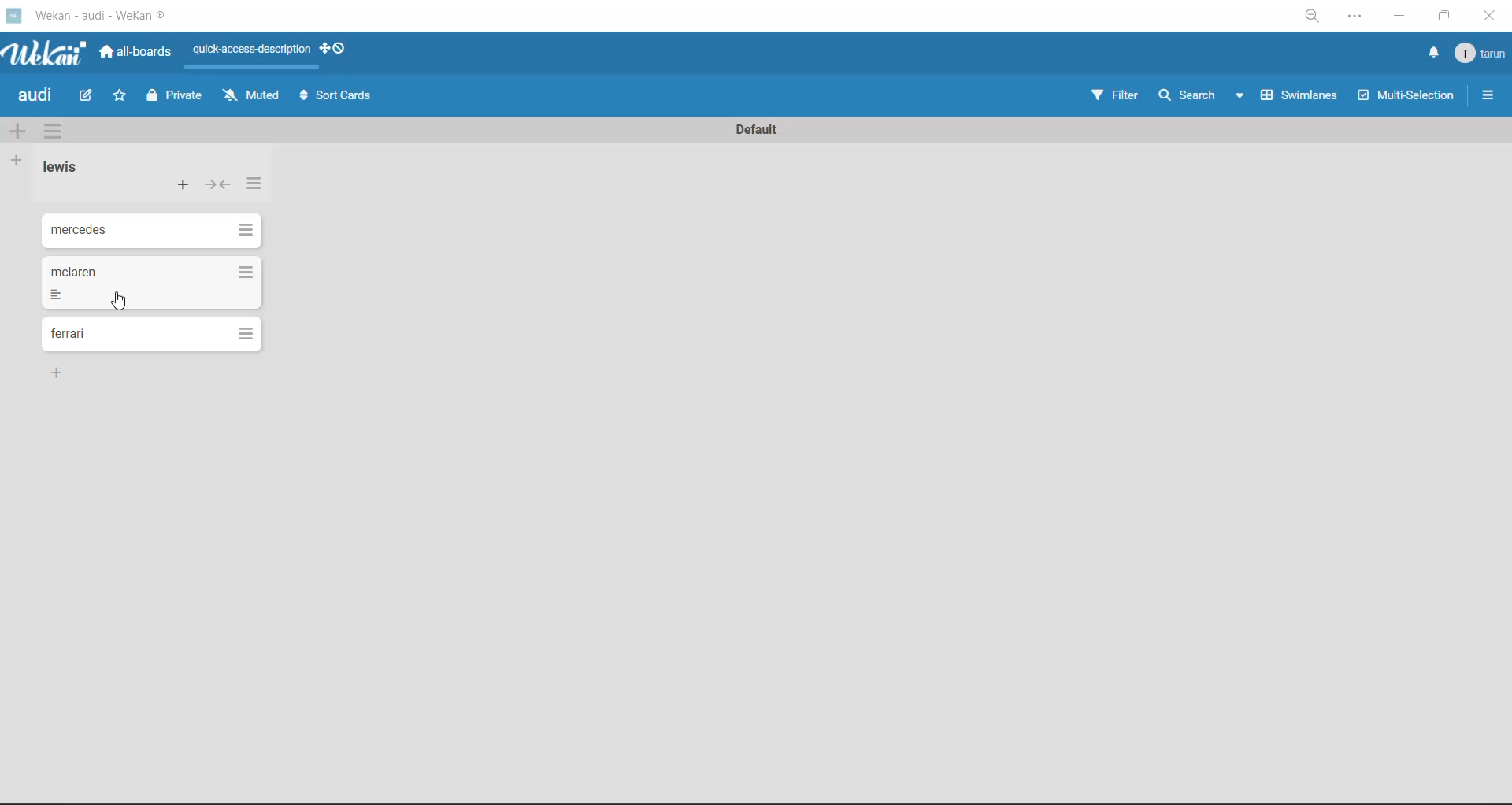  I want to click on cards, so click(150, 283).